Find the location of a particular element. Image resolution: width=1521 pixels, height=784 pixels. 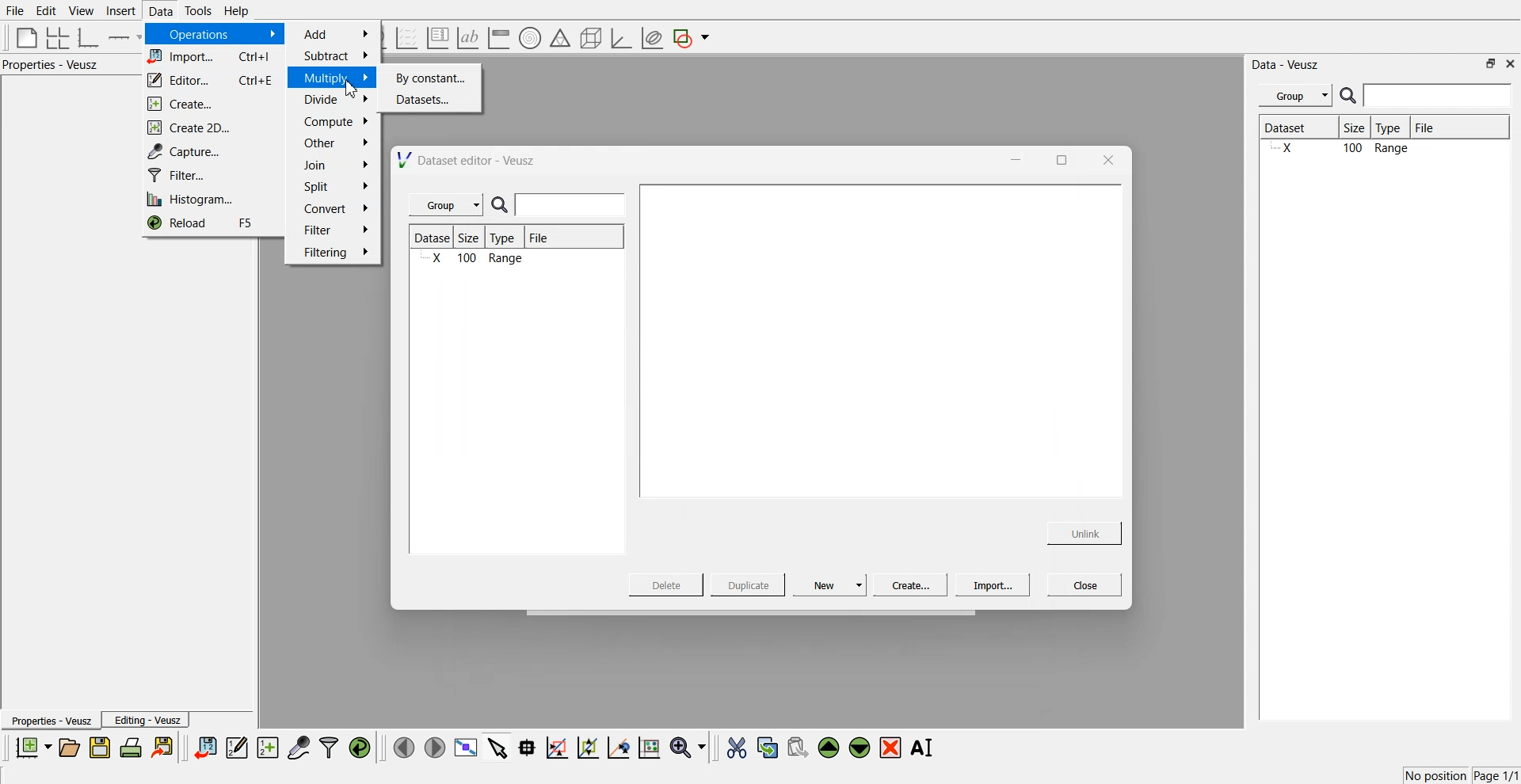

Create 2D... is located at coordinates (212, 127).